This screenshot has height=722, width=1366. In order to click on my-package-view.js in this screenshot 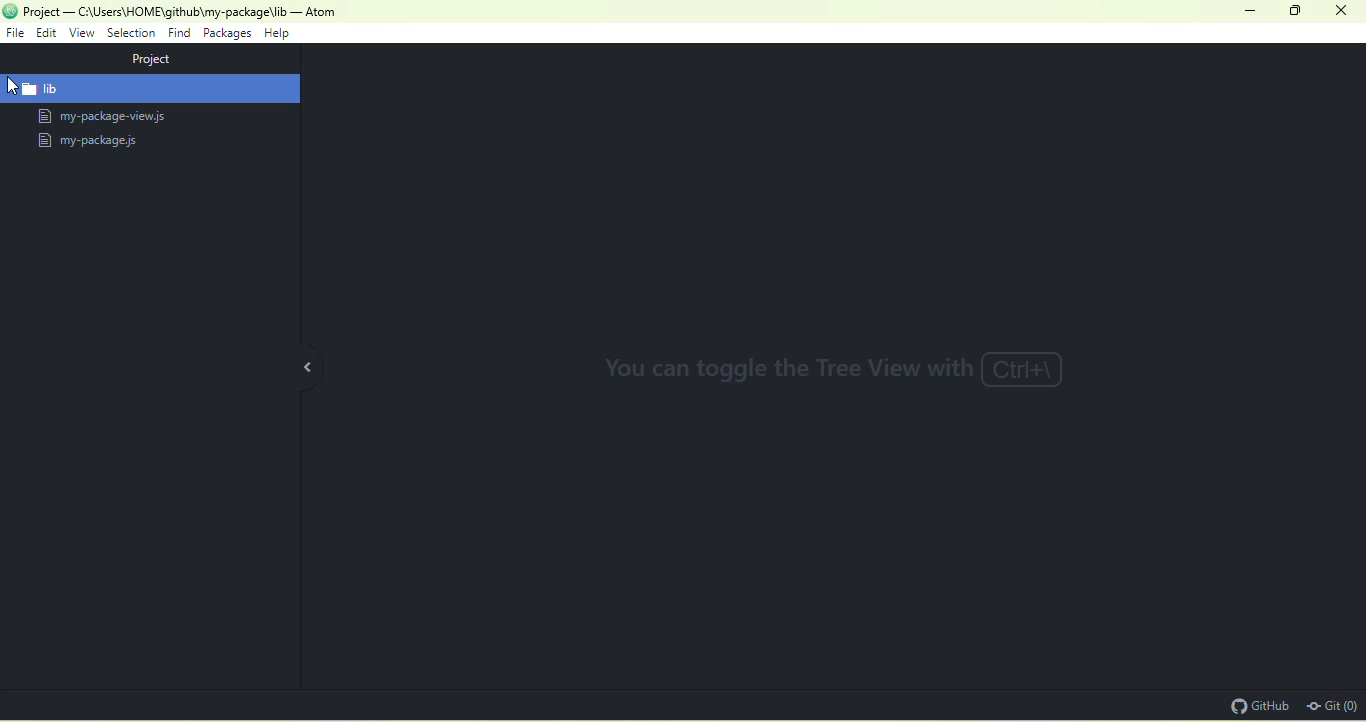, I will do `click(117, 117)`.